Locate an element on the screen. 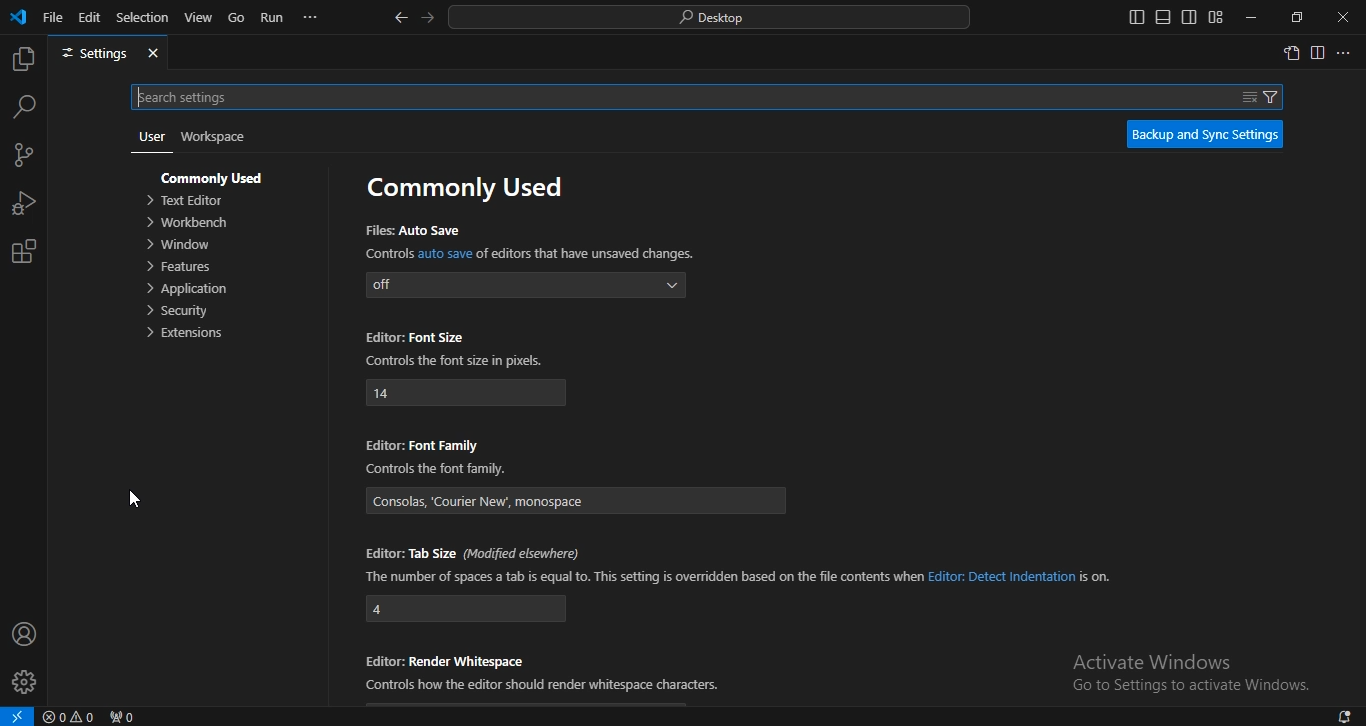 The width and height of the screenshot is (1366, 726). toggle panel is located at coordinates (1161, 16).